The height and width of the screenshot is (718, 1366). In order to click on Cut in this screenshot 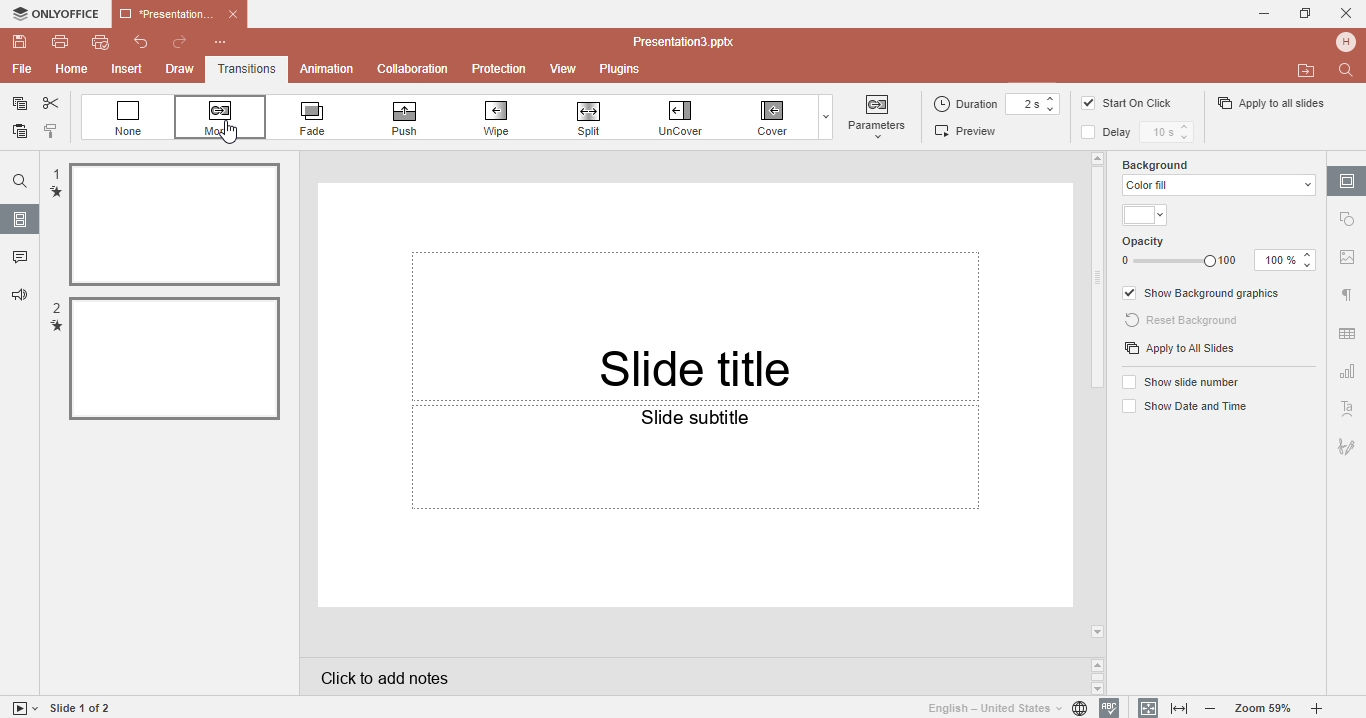, I will do `click(52, 104)`.